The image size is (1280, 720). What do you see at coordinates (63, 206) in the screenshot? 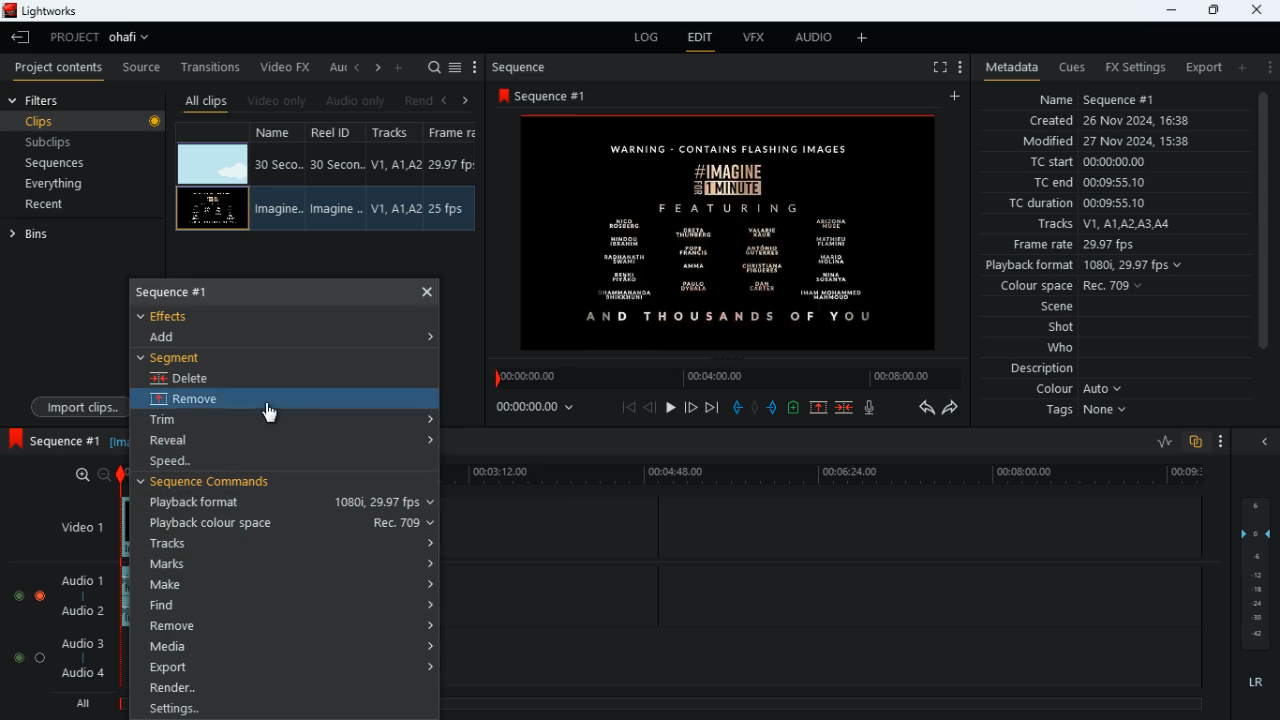
I see `recent` at bounding box center [63, 206].